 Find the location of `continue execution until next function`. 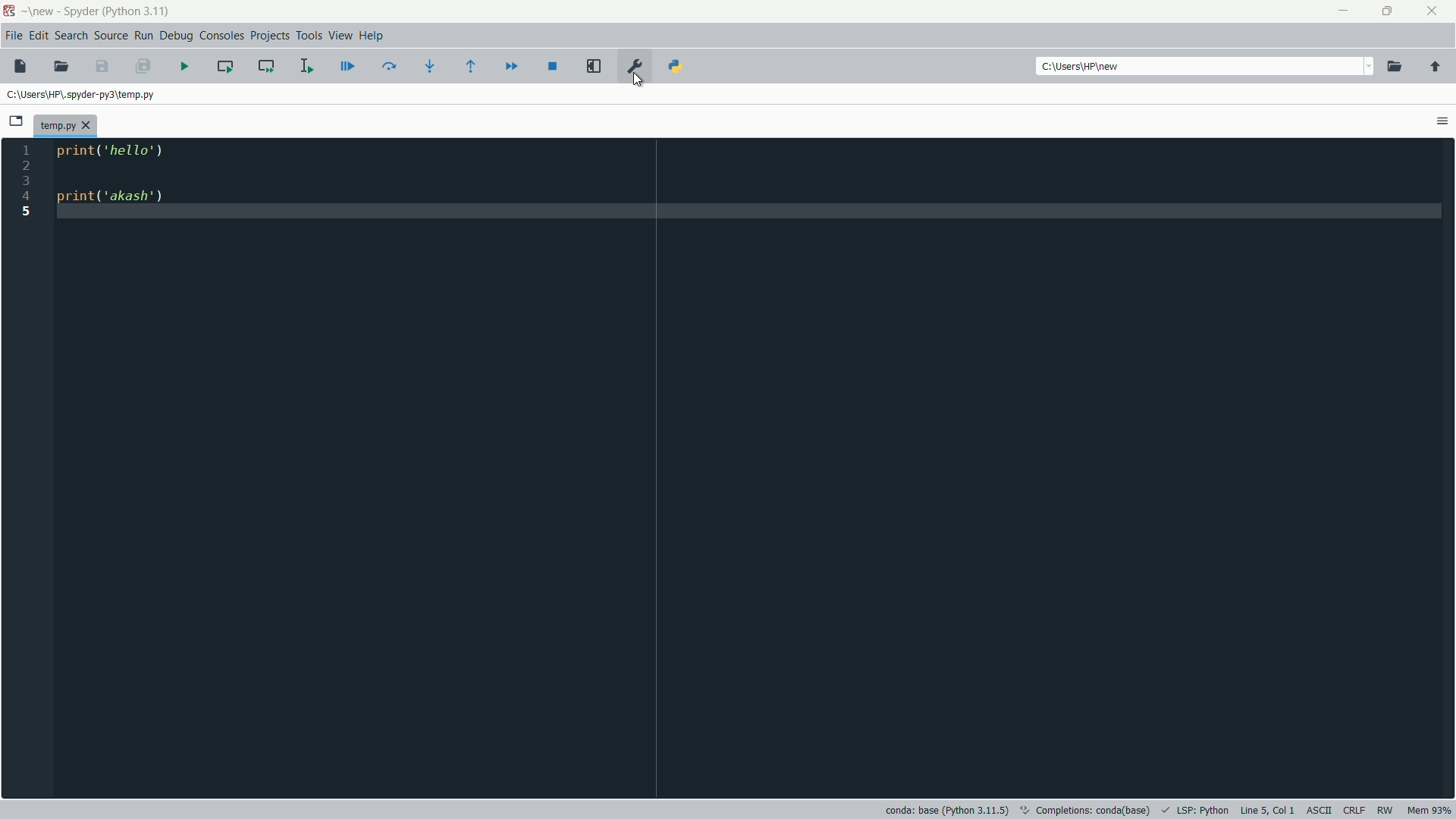

continue execution until next function is located at coordinates (474, 66).